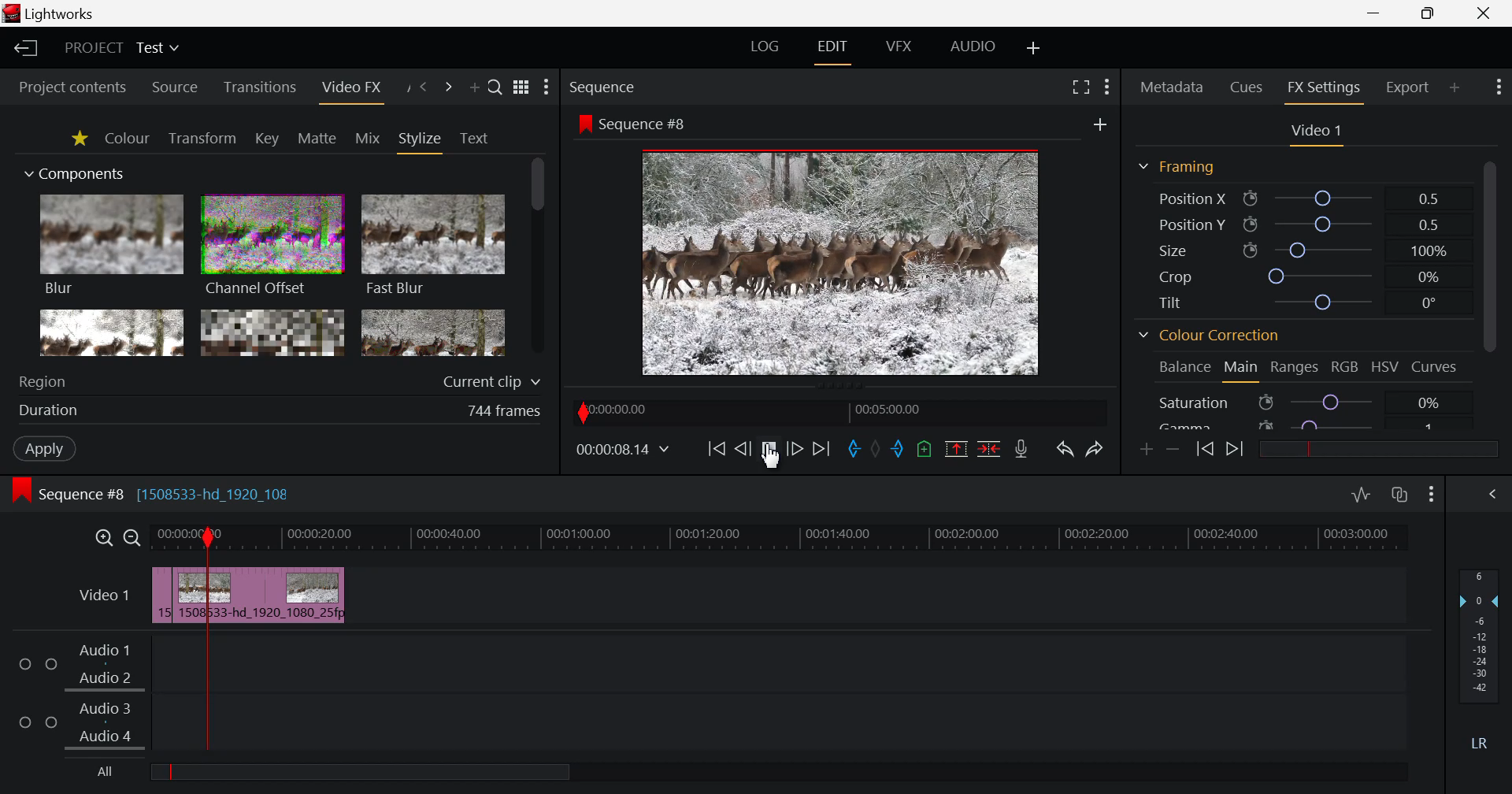  What do you see at coordinates (102, 538) in the screenshot?
I see `Timeline Zoom In` at bounding box center [102, 538].